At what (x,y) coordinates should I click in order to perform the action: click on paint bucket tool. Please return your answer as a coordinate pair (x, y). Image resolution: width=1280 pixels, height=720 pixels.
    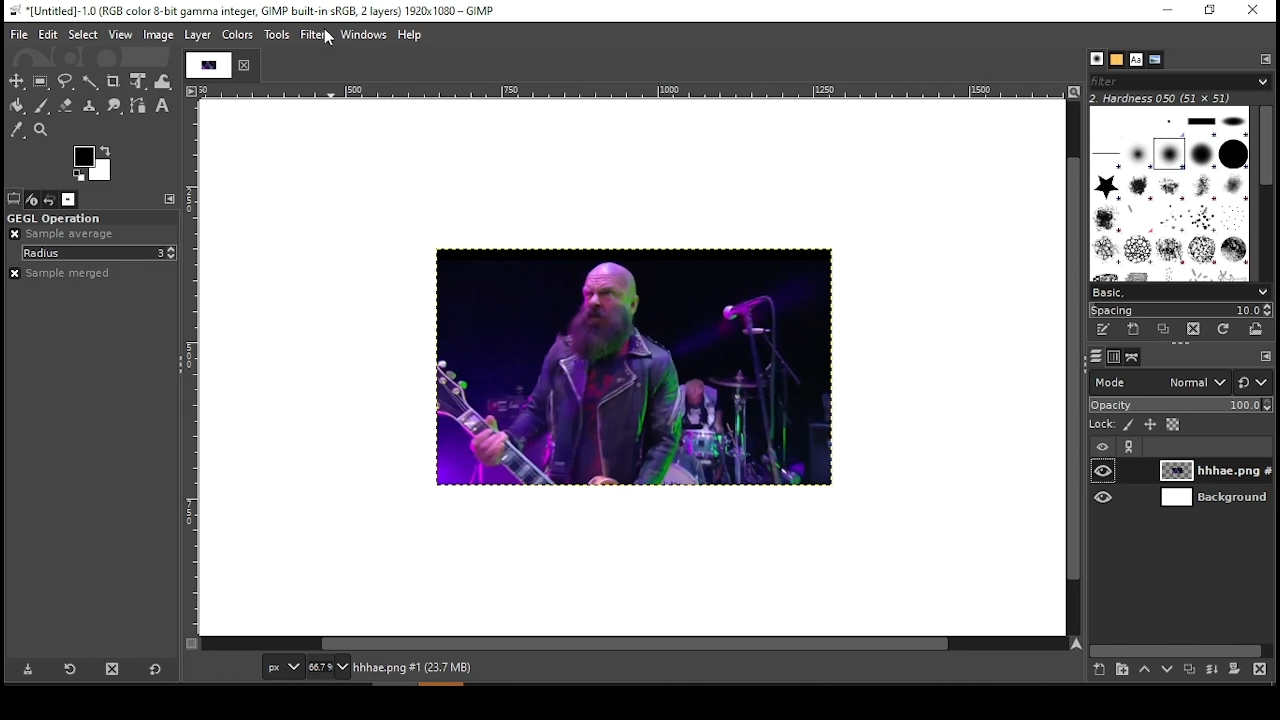
    Looking at the image, I should click on (16, 105).